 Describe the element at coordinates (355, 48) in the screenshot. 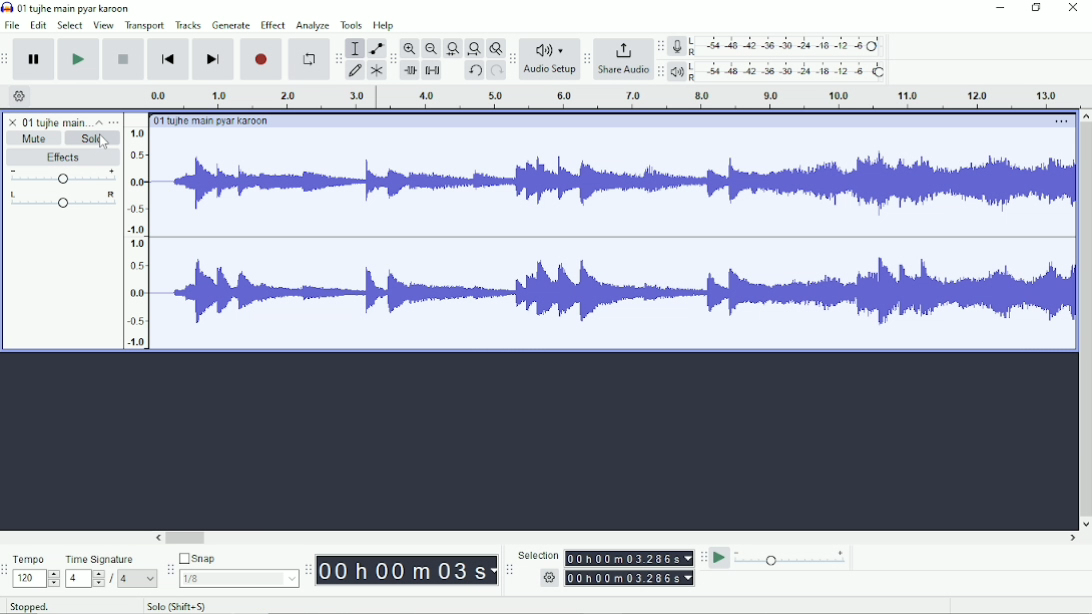

I see `Selection tool` at that location.